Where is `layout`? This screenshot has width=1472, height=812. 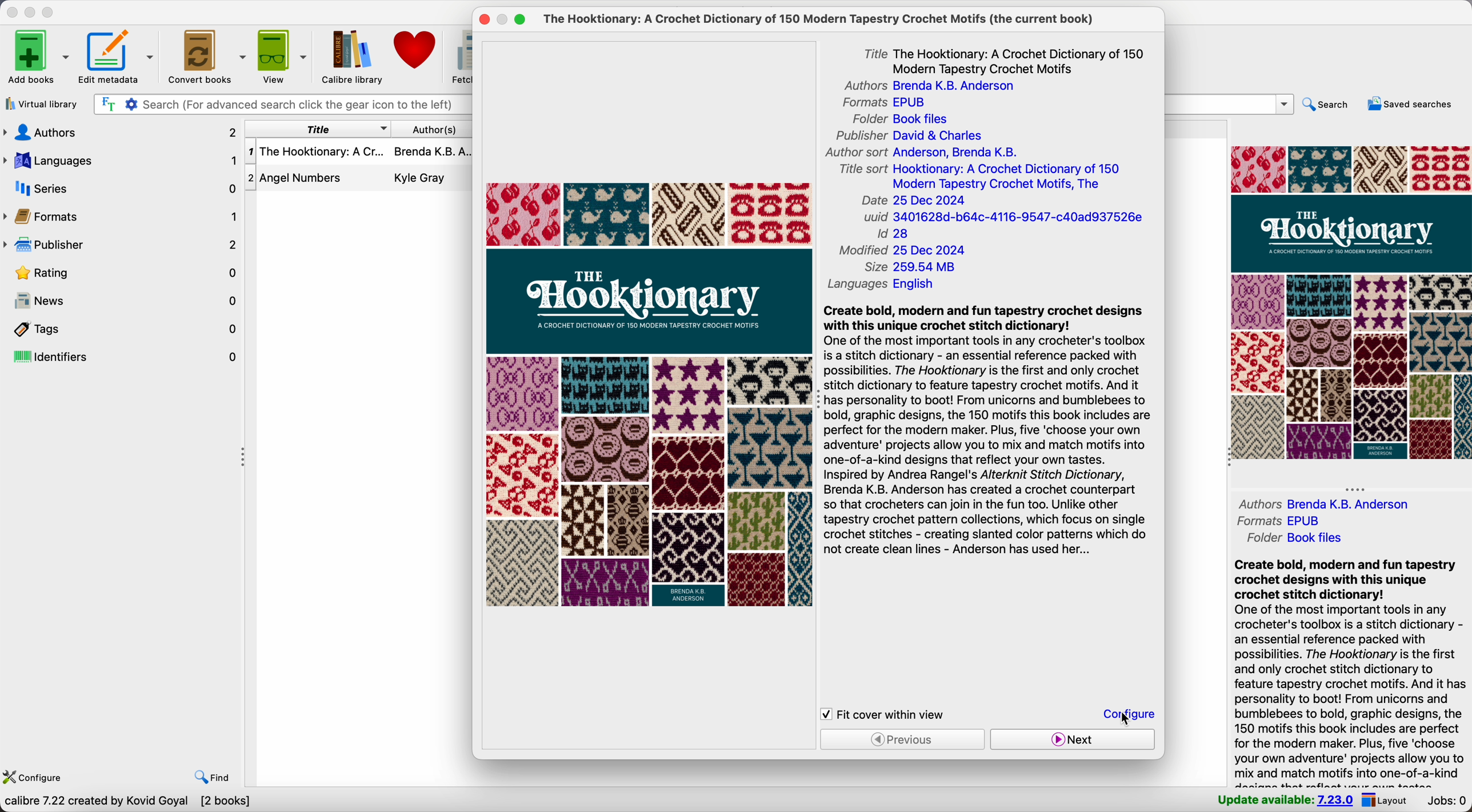 layout is located at coordinates (1384, 799).